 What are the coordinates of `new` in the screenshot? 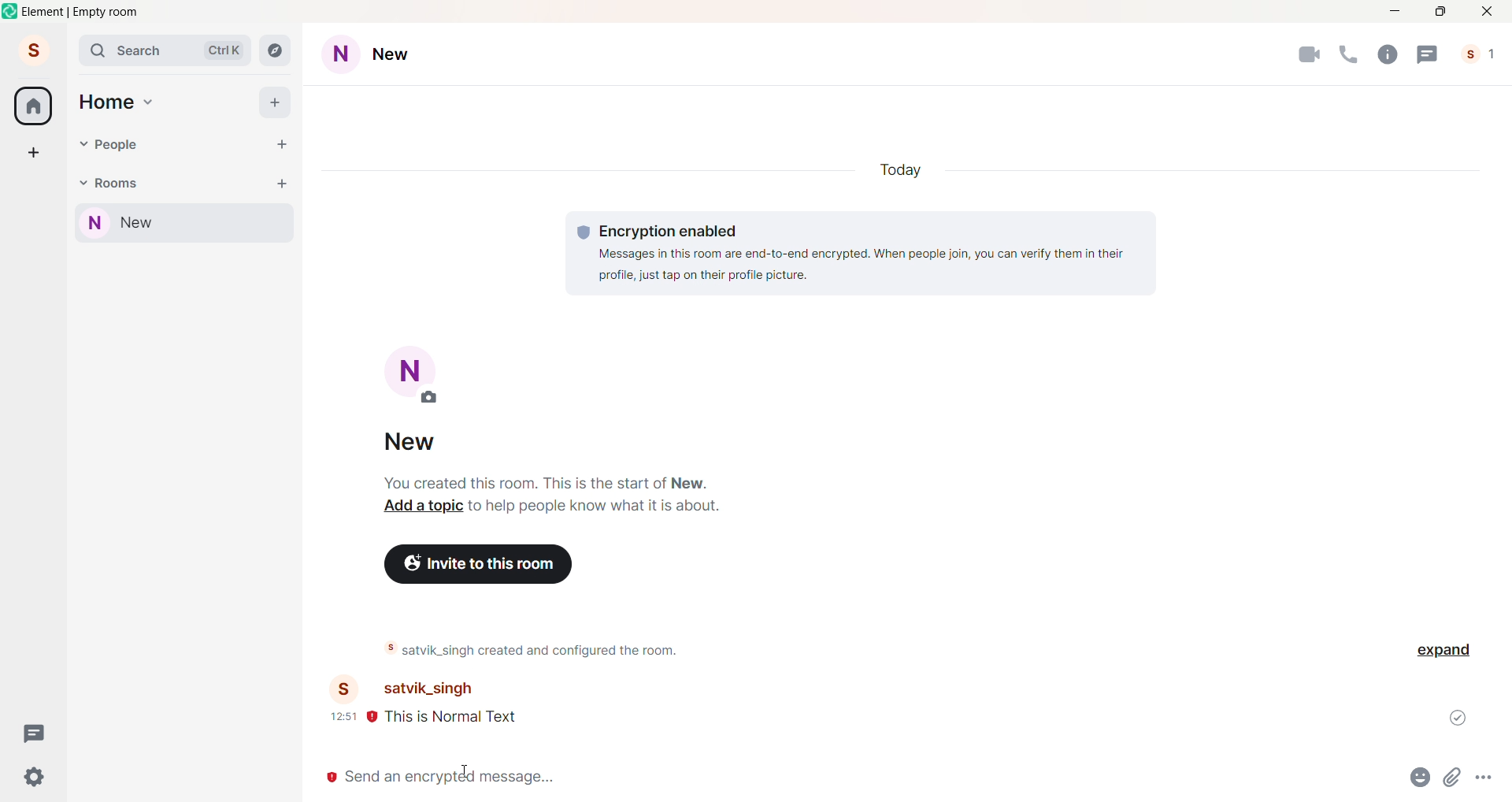 It's located at (419, 444).